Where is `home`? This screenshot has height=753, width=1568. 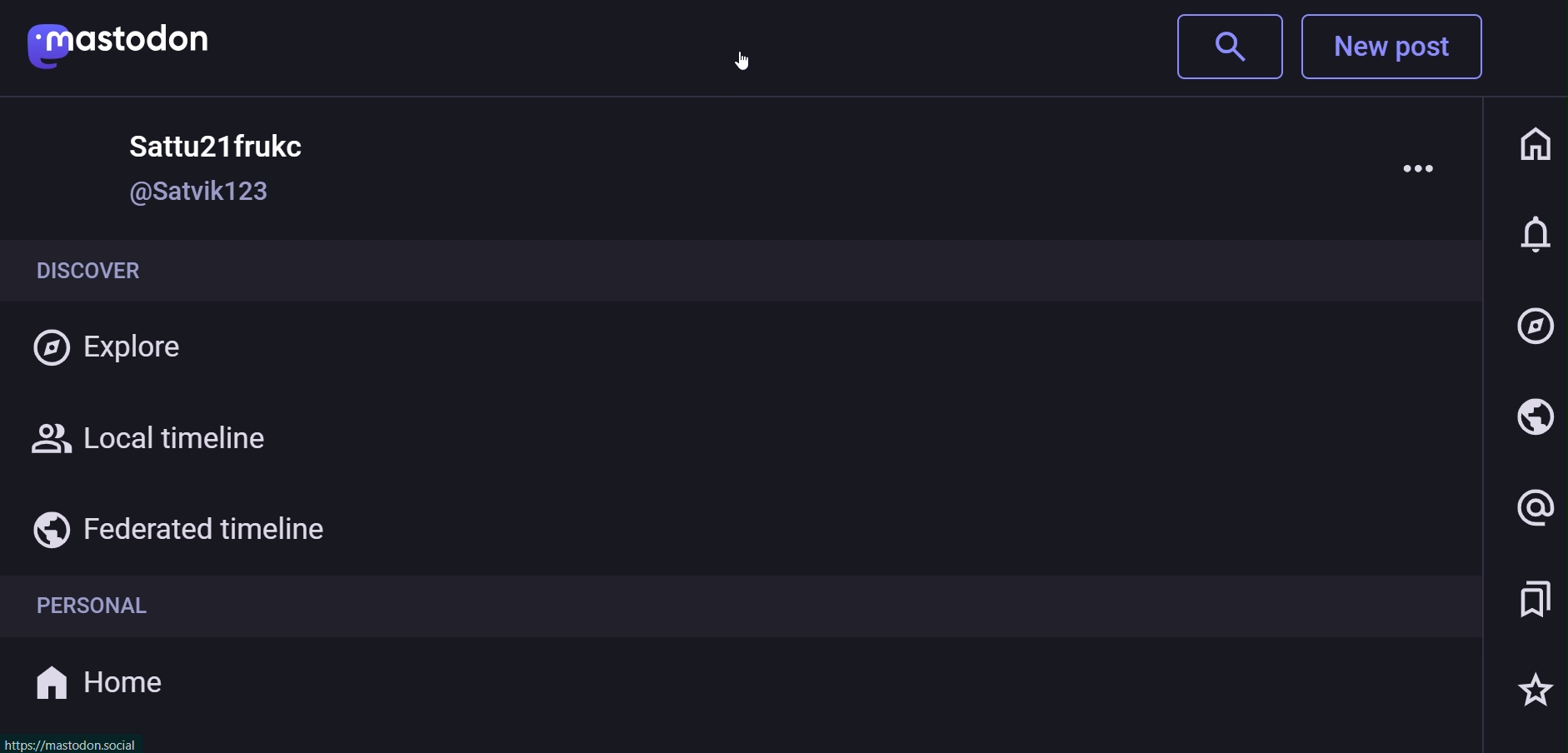
home is located at coordinates (1533, 142).